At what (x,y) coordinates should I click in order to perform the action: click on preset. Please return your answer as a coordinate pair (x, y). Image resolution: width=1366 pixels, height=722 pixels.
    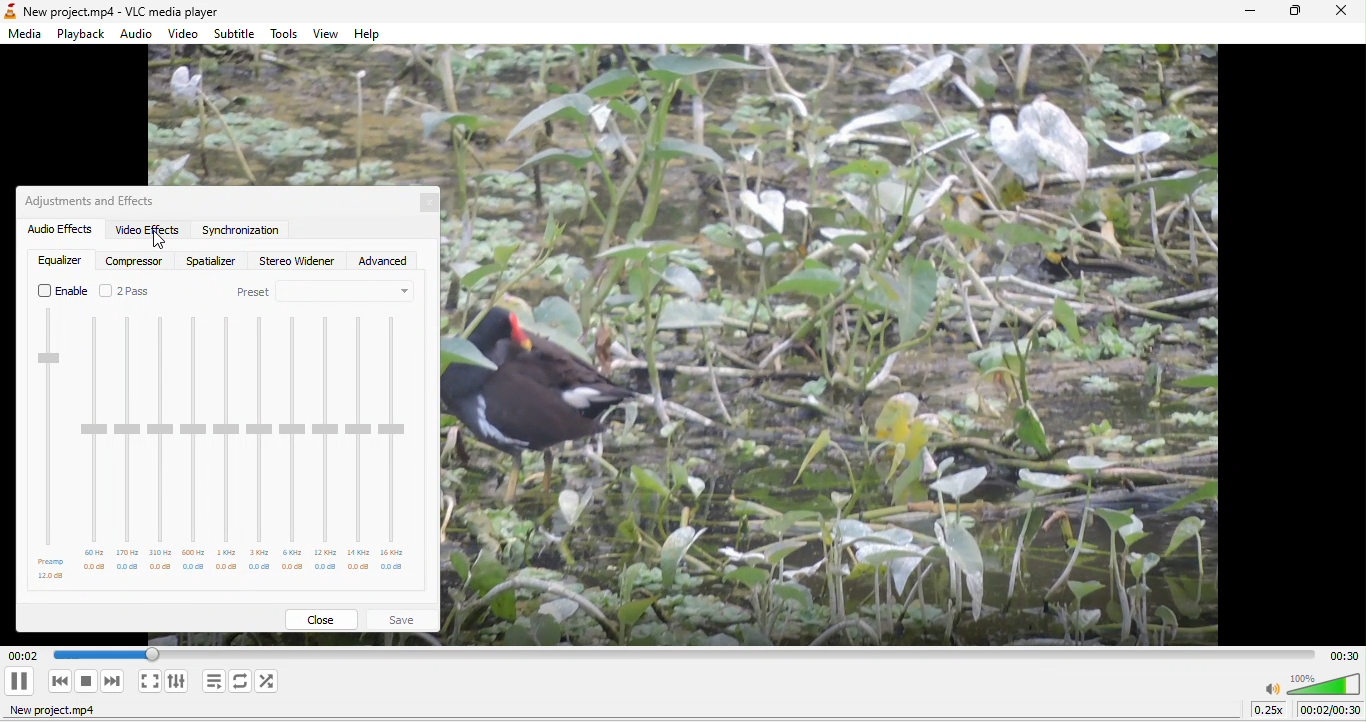
    Looking at the image, I should click on (325, 292).